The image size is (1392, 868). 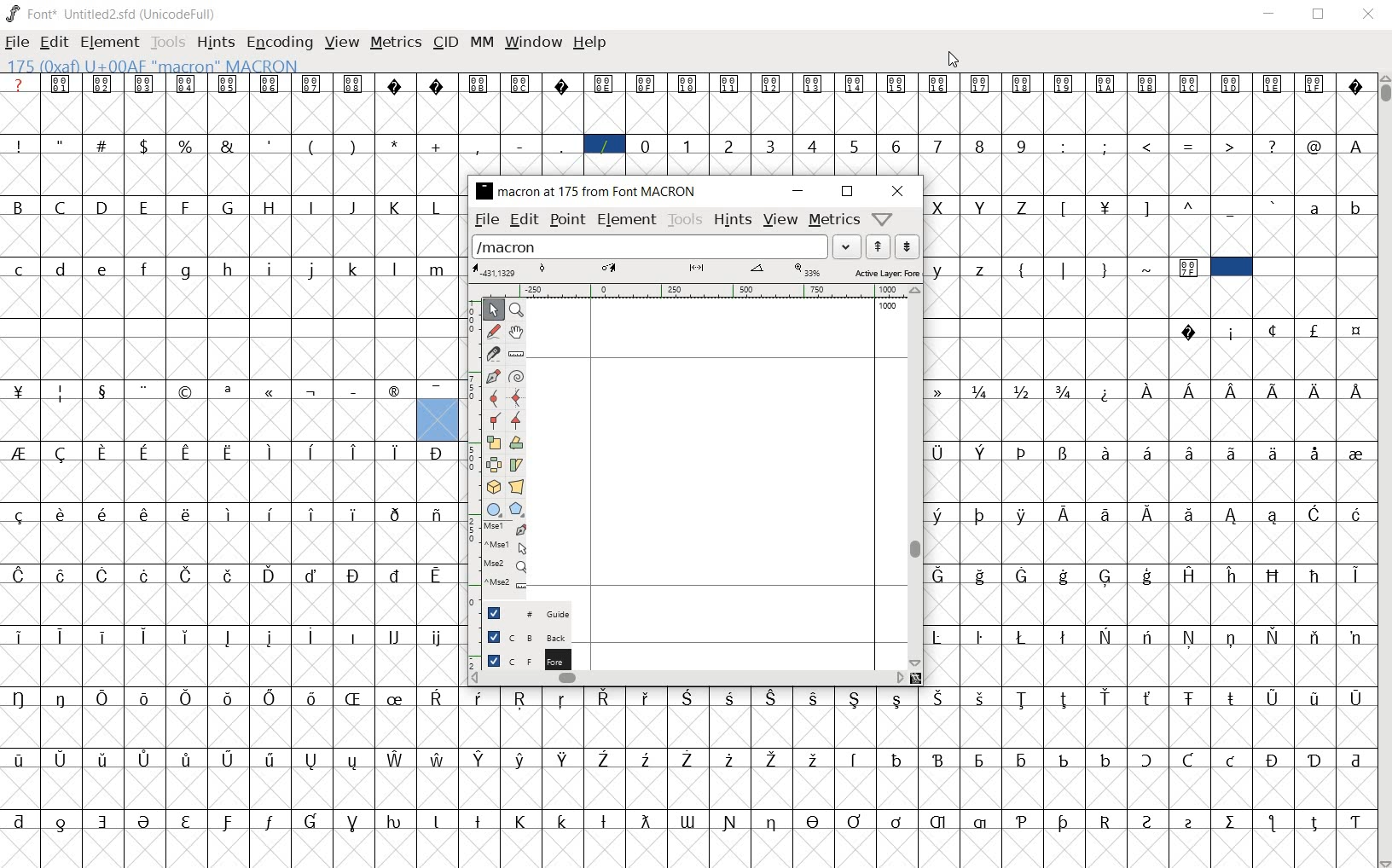 What do you see at coordinates (1270, 15) in the screenshot?
I see `Minimize` at bounding box center [1270, 15].